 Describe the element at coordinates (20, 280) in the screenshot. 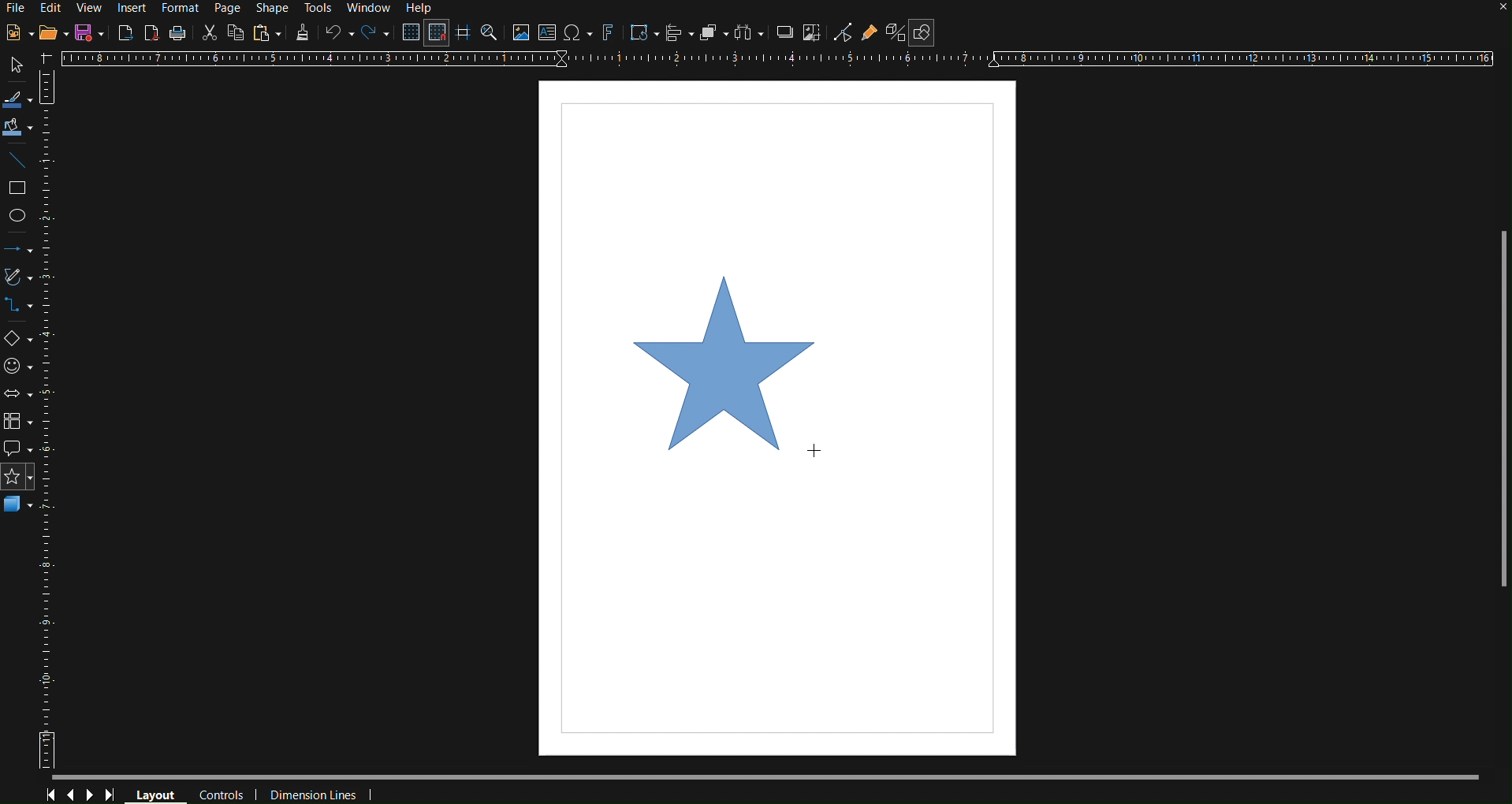

I see `Vectors` at that location.